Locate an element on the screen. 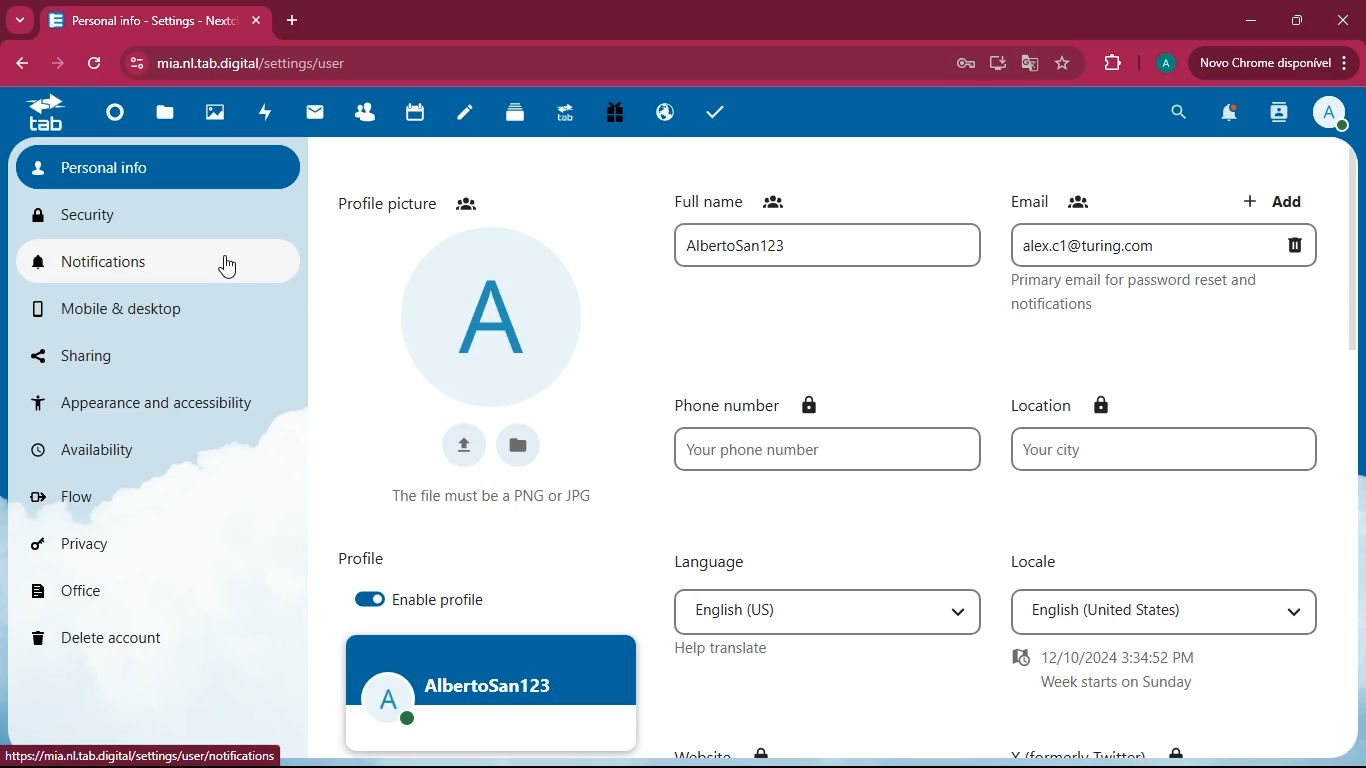  email is located at coordinates (1058, 201).